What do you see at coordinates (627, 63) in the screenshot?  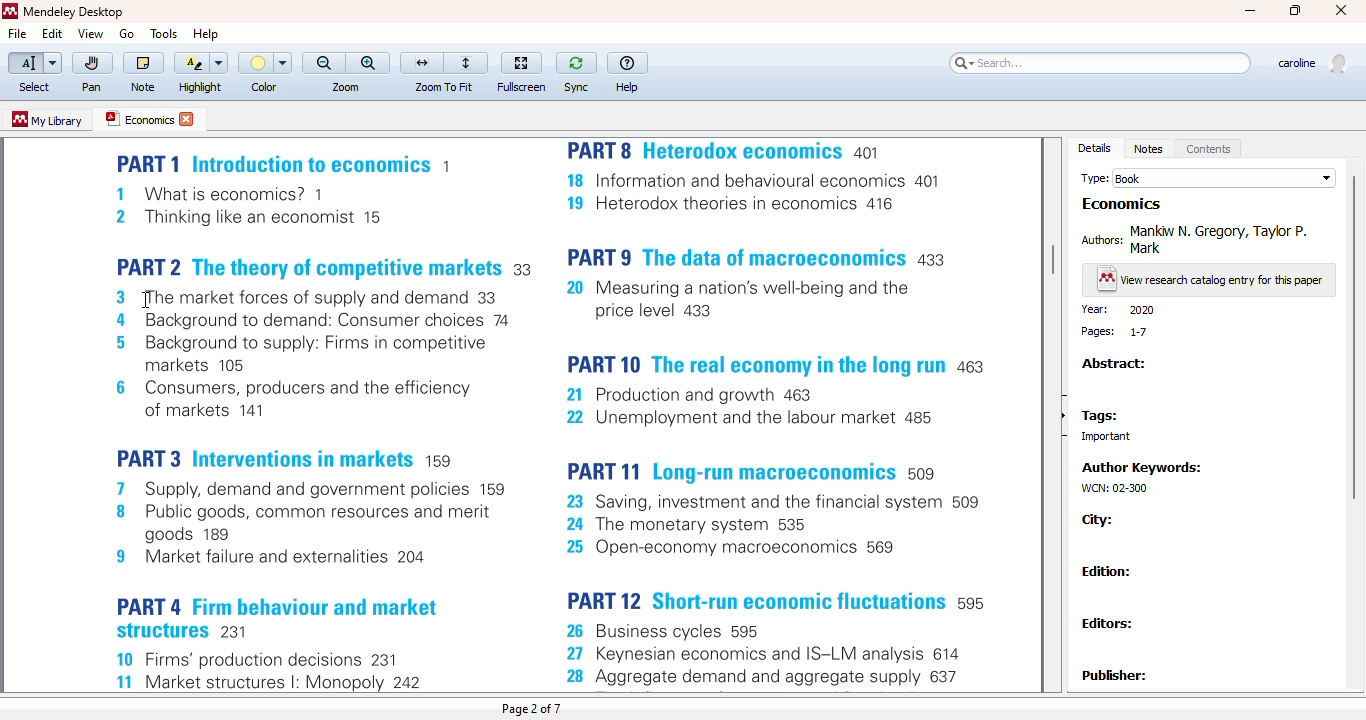 I see `help` at bounding box center [627, 63].